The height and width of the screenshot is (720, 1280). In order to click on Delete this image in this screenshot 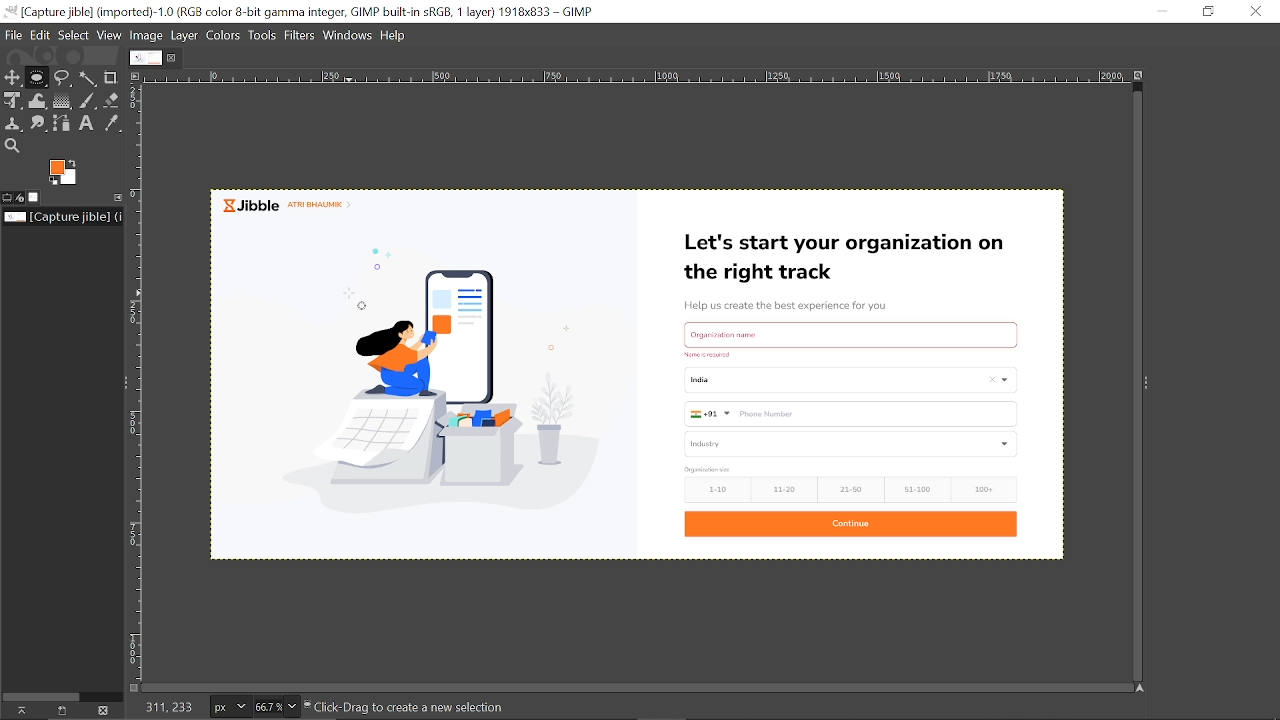, I will do `click(106, 710)`.